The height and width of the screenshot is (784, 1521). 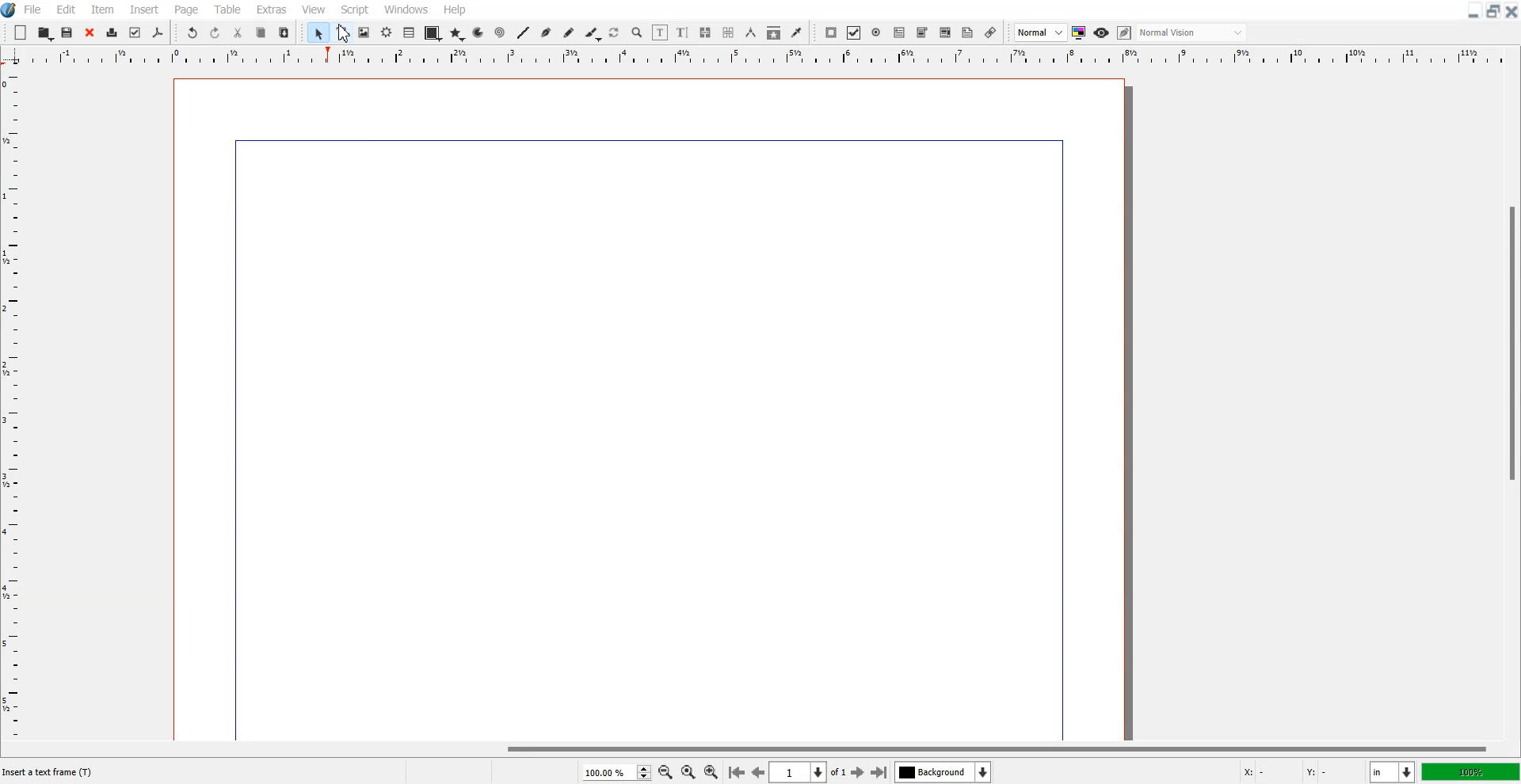 What do you see at coordinates (185, 10) in the screenshot?
I see `Page` at bounding box center [185, 10].